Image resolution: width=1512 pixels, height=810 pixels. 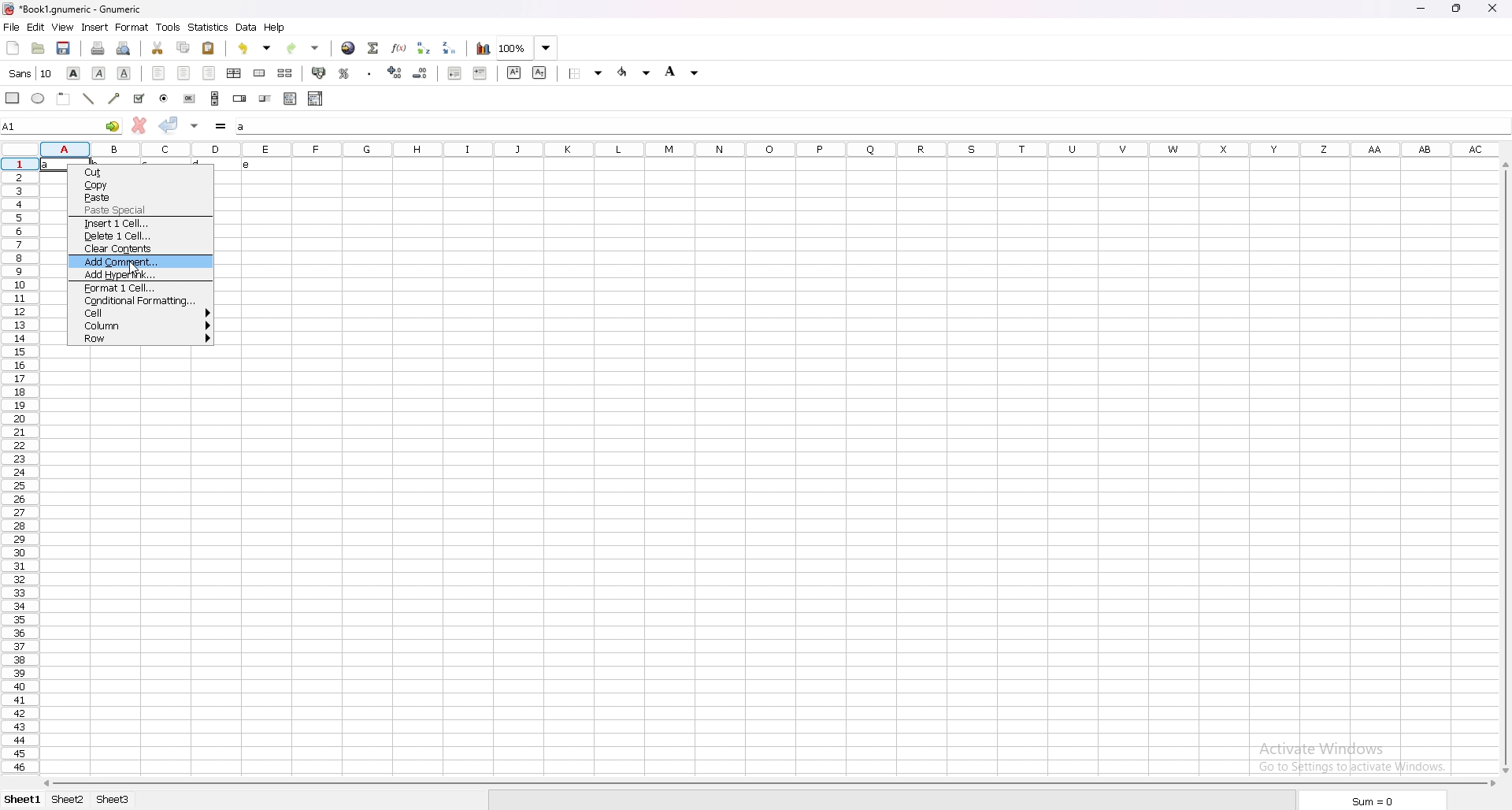 I want to click on ellipse, so click(x=38, y=98).